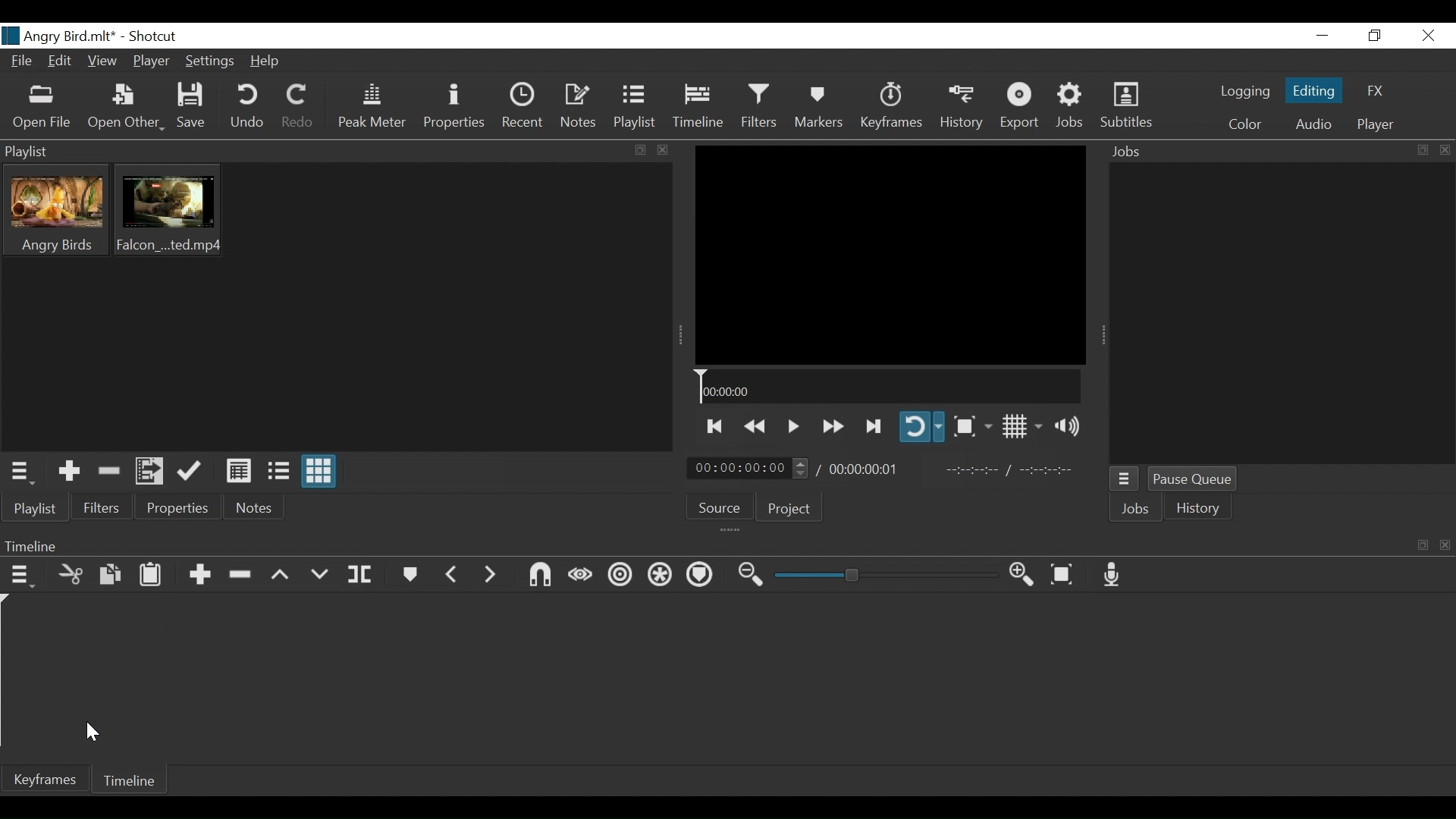  Describe the element at coordinates (201, 575) in the screenshot. I see `Append` at that location.